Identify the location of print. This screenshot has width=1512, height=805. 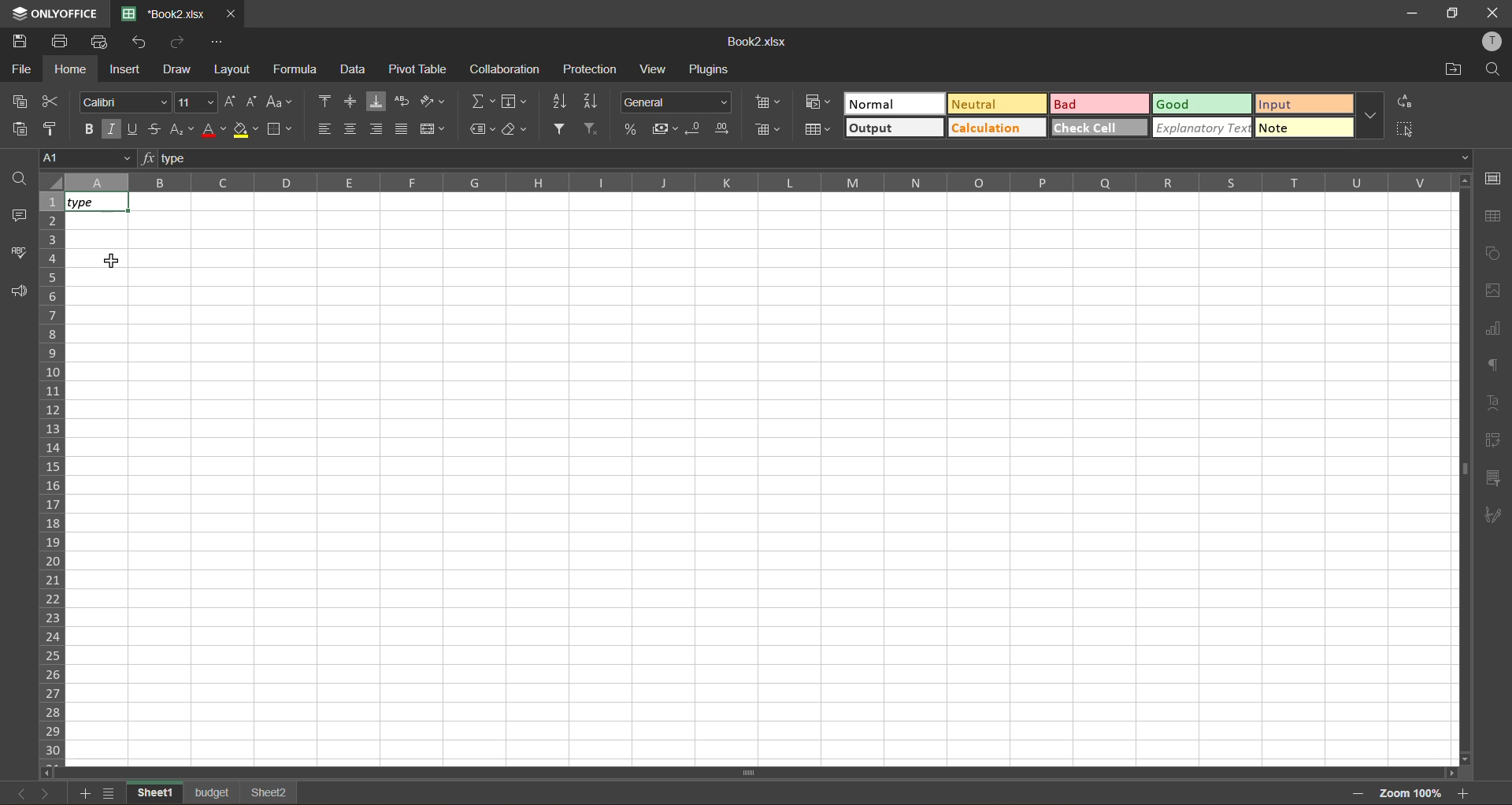
(59, 43).